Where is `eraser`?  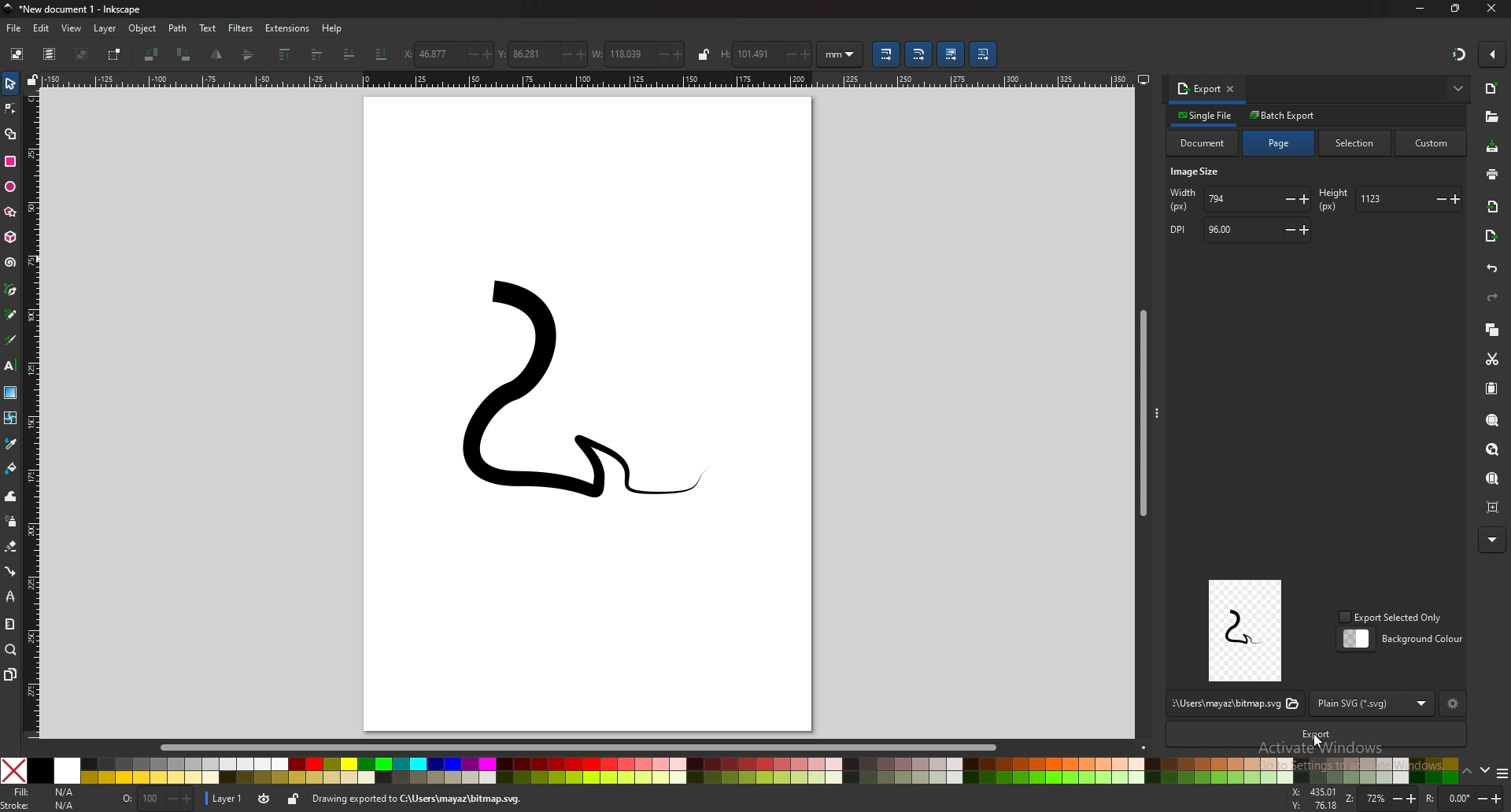
eraser is located at coordinates (11, 547).